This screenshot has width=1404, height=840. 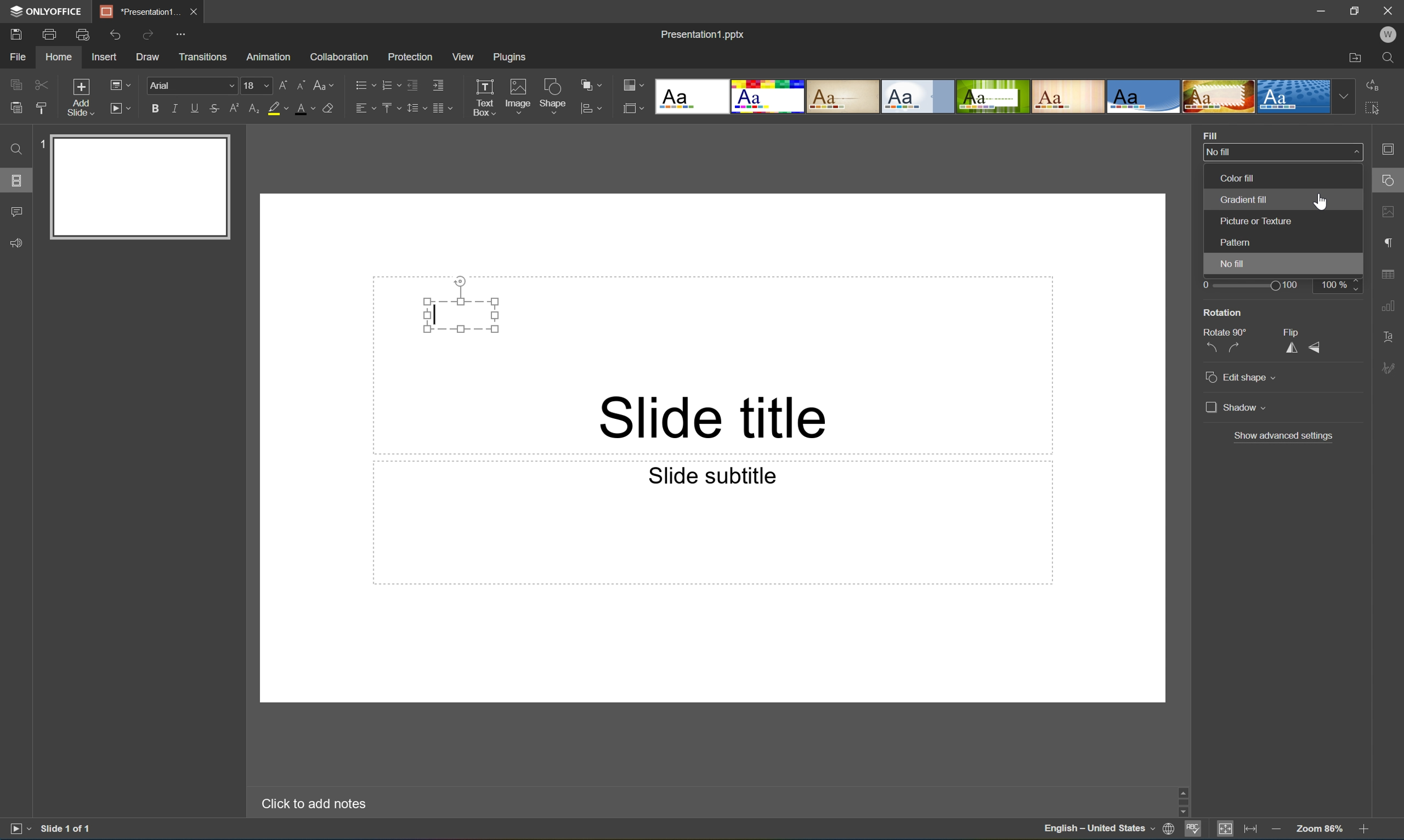 What do you see at coordinates (149, 36) in the screenshot?
I see `Redo` at bounding box center [149, 36].